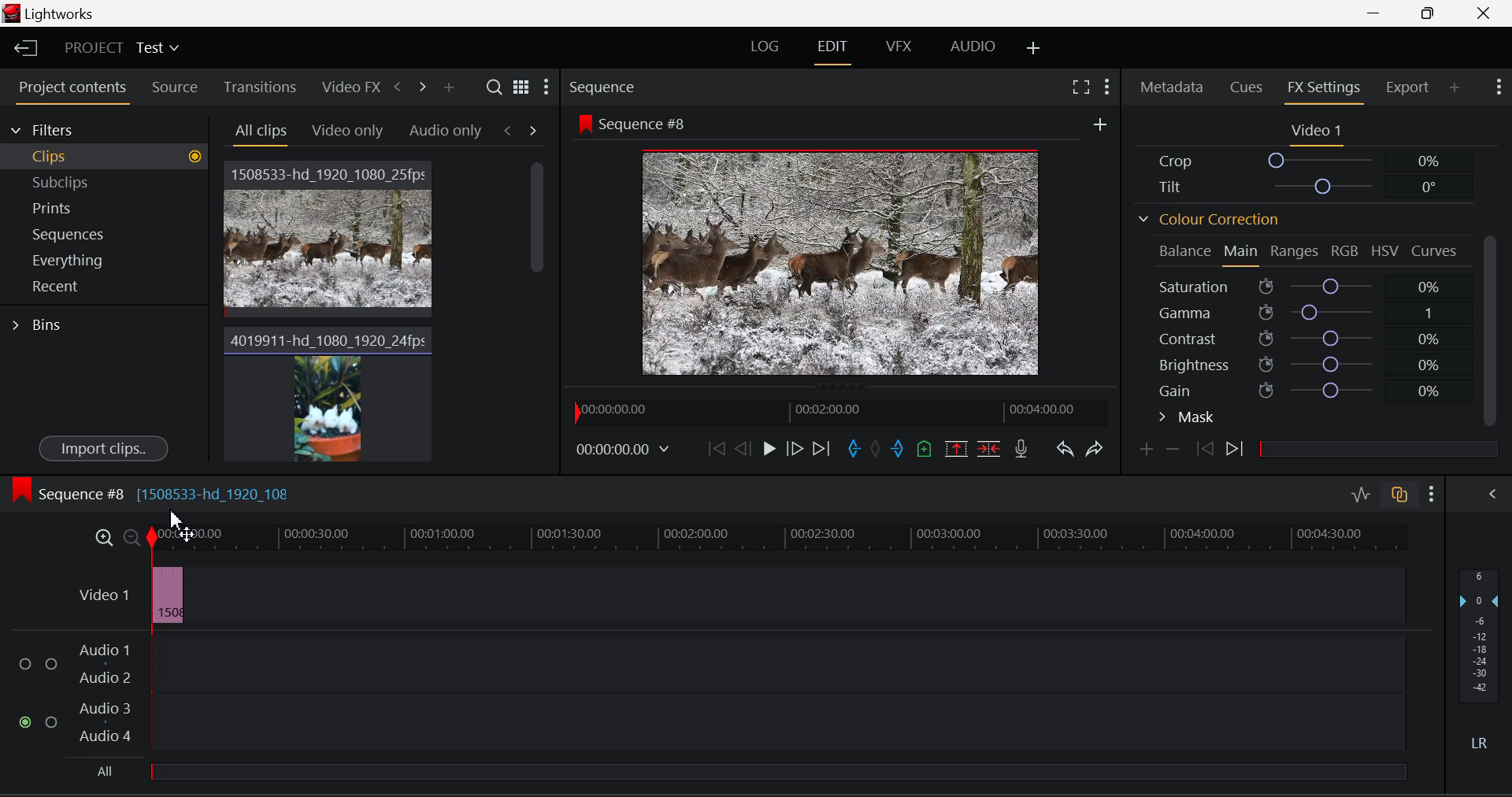  I want to click on Colour Correction Section, so click(1237, 219).